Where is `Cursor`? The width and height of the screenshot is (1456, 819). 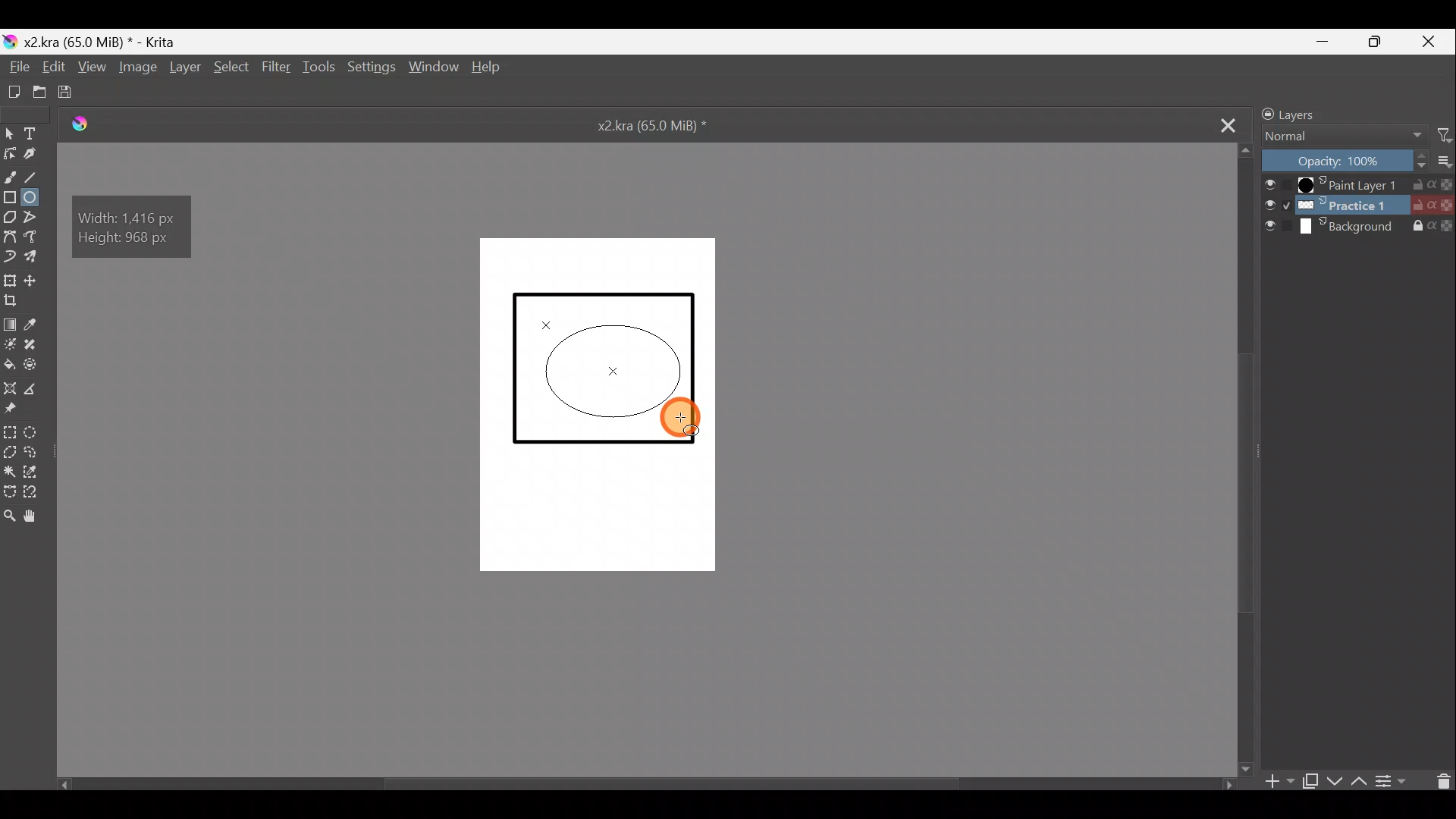 Cursor is located at coordinates (686, 416).